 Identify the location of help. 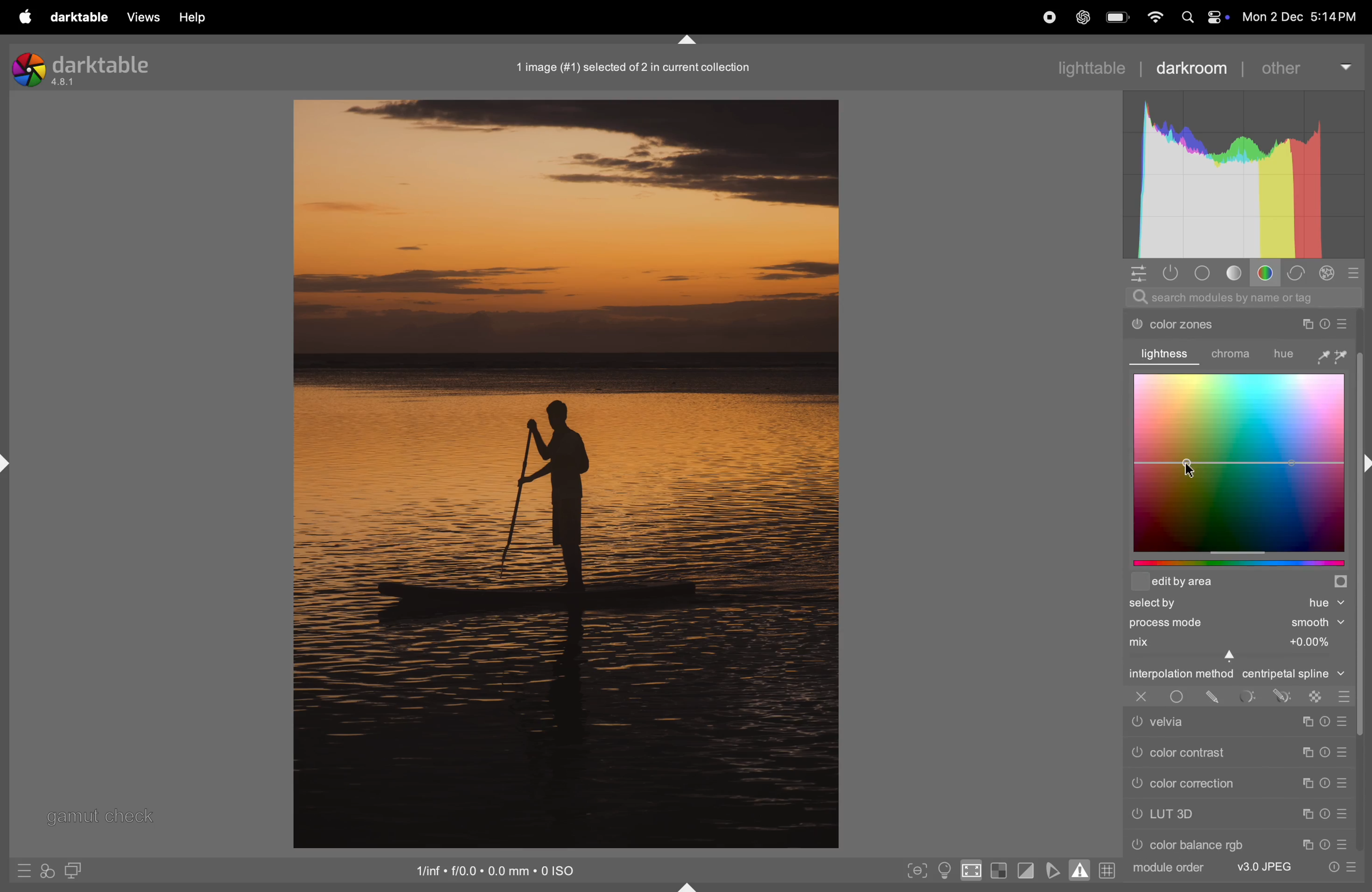
(197, 19).